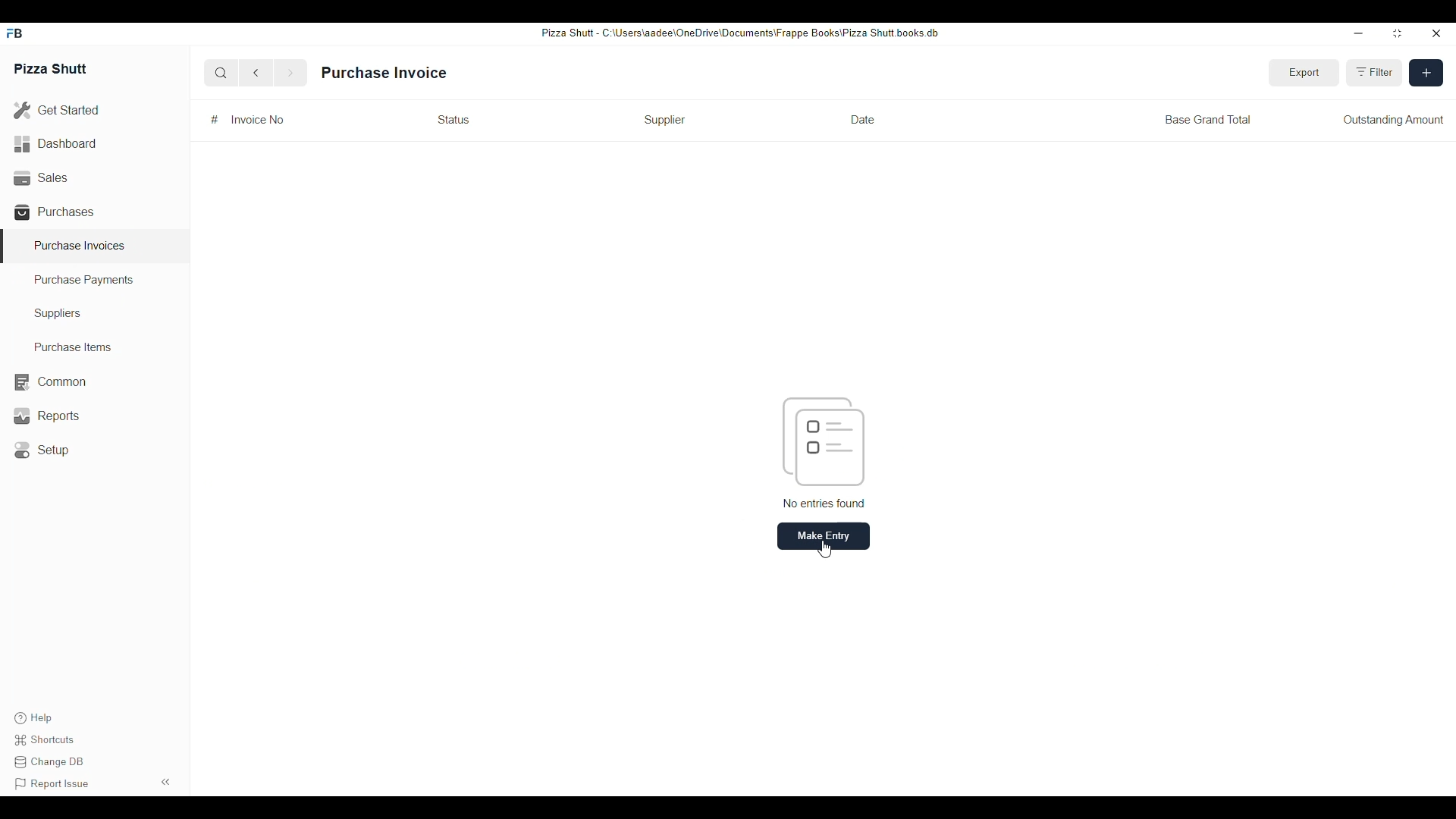  Describe the element at coordinates (823, 441) in the screenshot. I see `files icon` at that location.